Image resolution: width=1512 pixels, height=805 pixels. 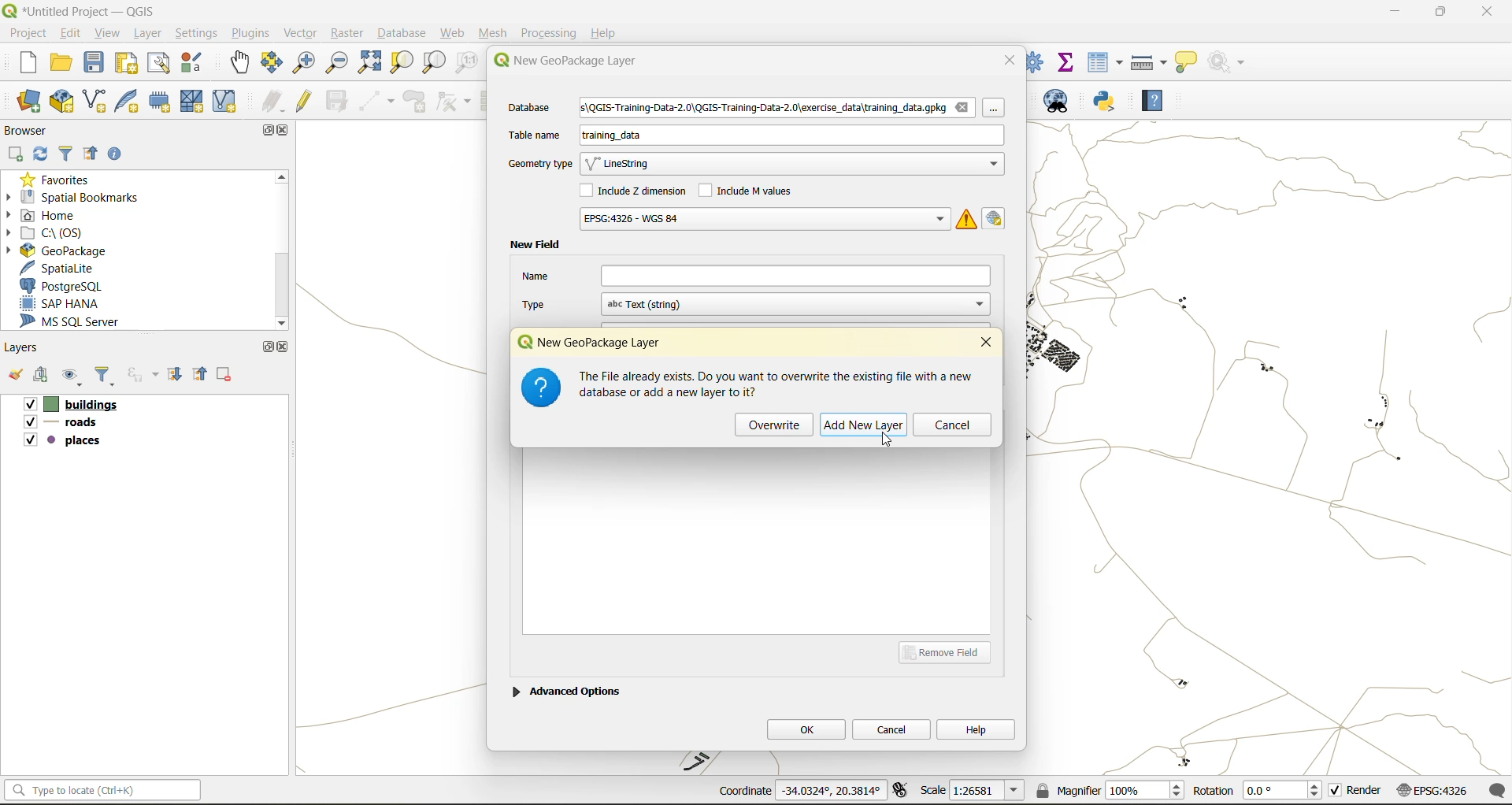 What do you see at coordinates (83, 197) in the screenshot?
I see `spatial bookmarks` at bounding box center [83, 197].